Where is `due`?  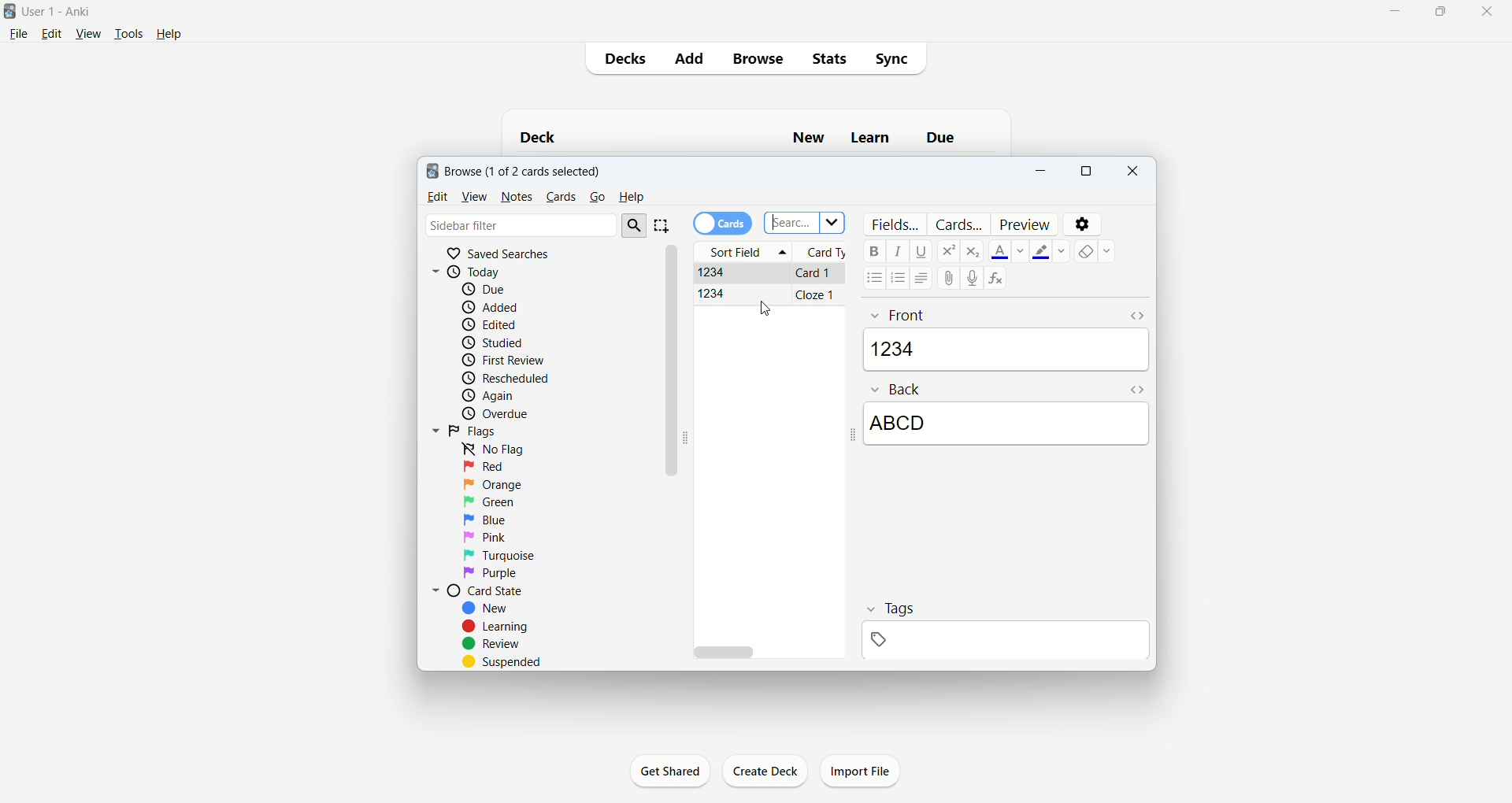
due is located at coordinates (944, 139).